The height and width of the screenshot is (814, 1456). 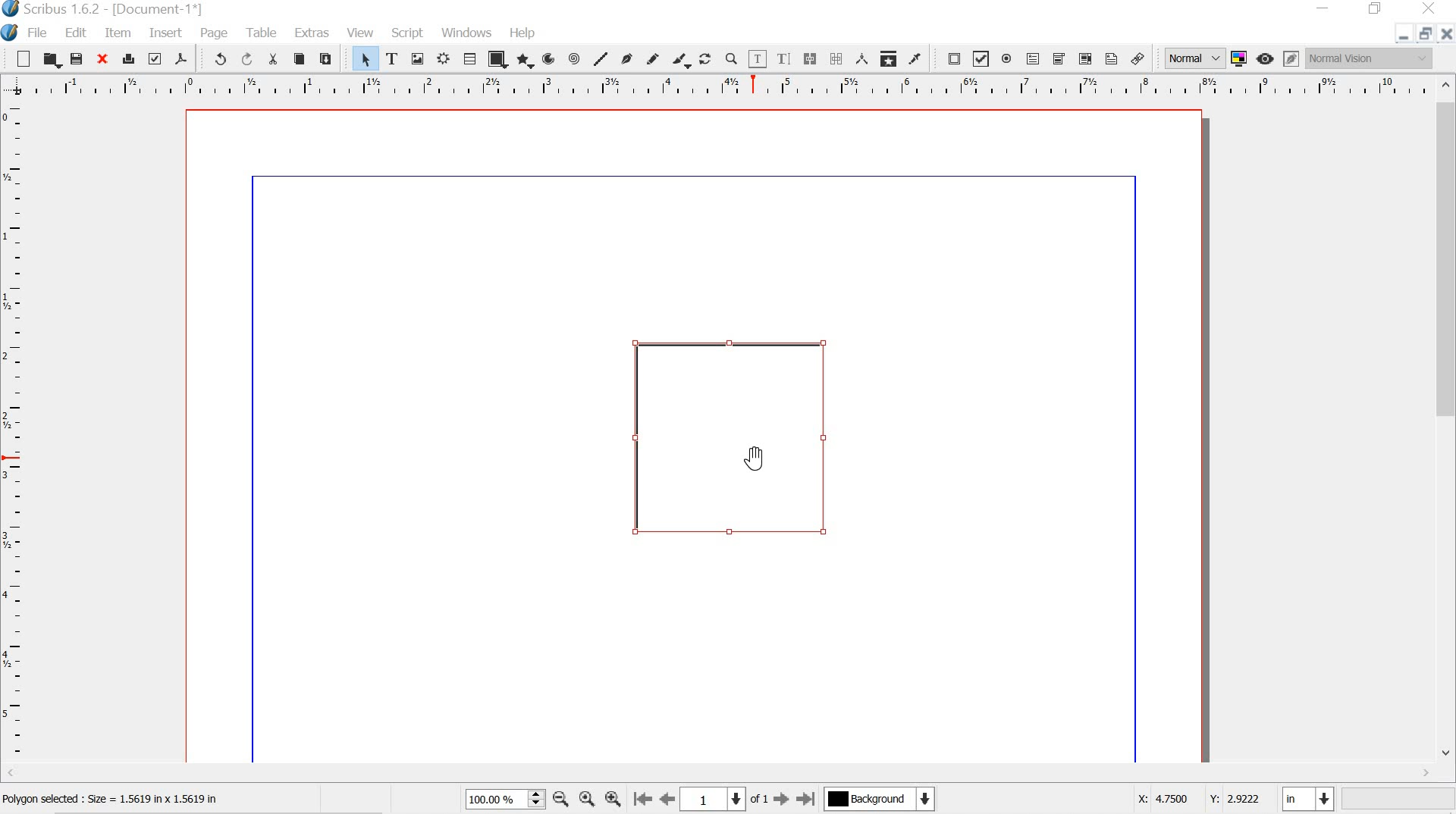 What do you see at coordinates (1289, 58) in the screenshot?
I see `edit in preview mode` at bounding box center [1289, 58].